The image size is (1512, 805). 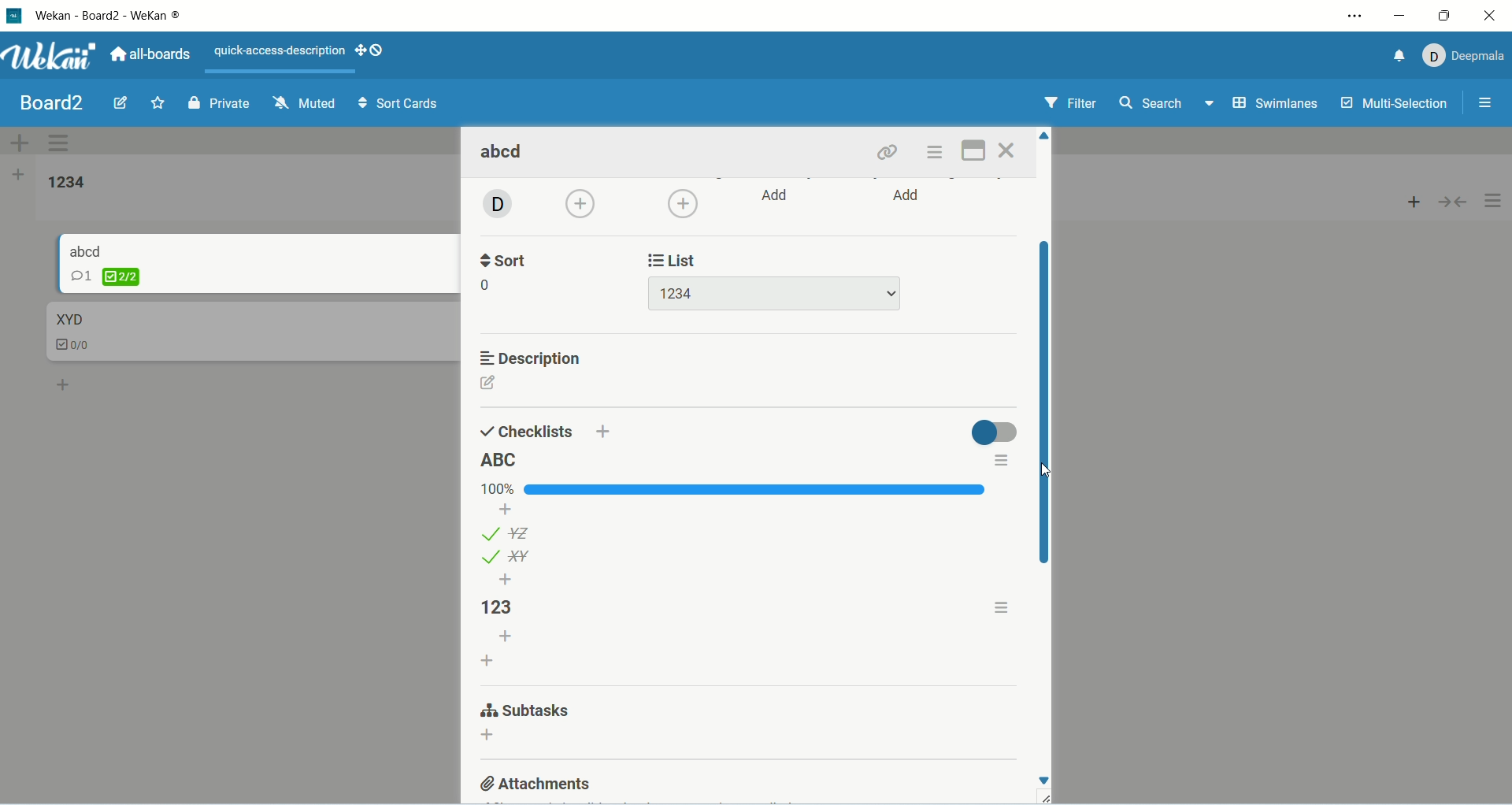 I want to click on search, so click(x=1169, y=105).